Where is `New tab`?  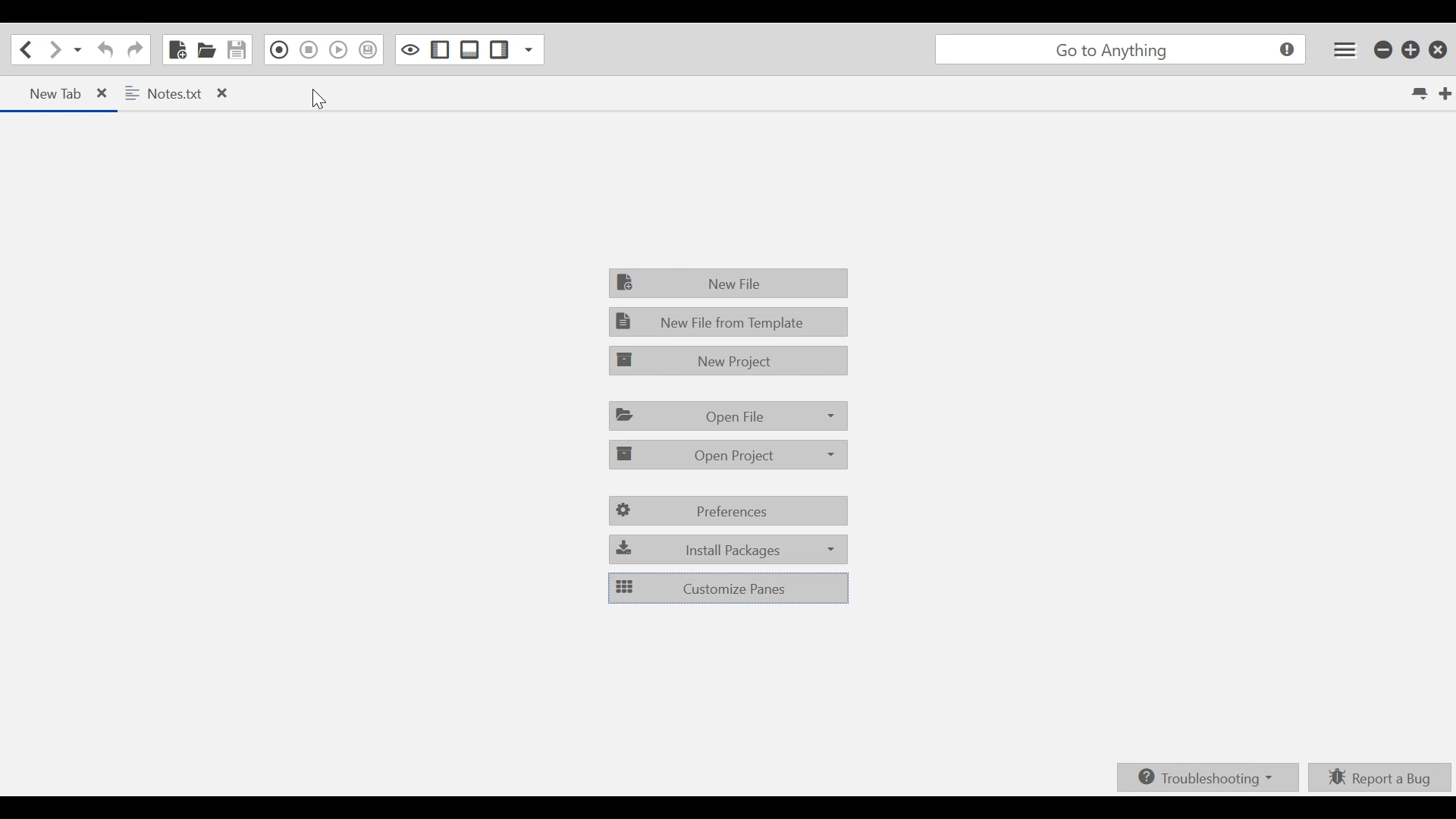
New tab is located at coordinates (1444, 93).